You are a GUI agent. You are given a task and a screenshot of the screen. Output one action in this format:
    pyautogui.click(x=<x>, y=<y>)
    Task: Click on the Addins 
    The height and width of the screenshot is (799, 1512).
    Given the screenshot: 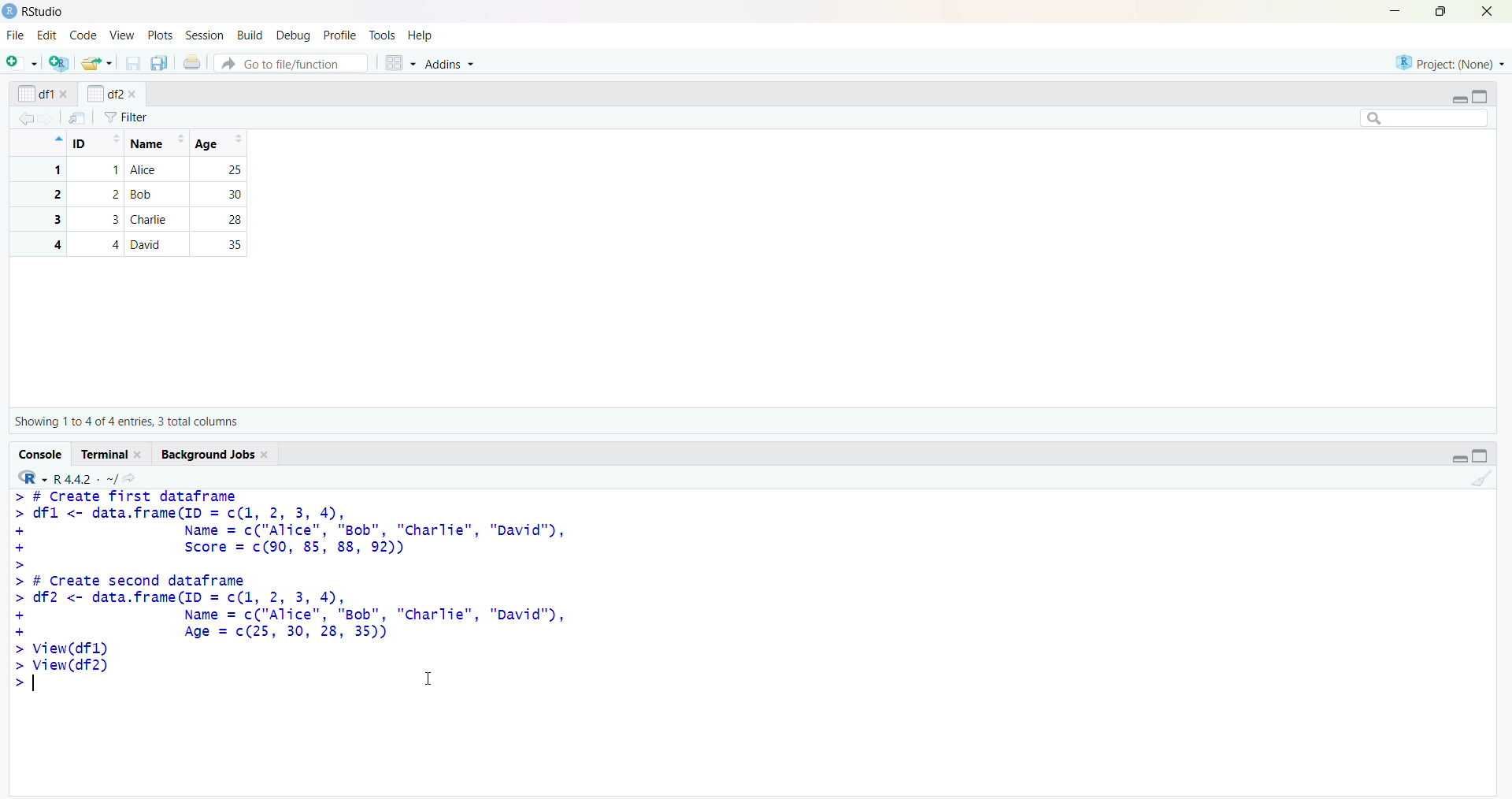 What is the action you would take?
    pyautogui.click(x=448, y=63)
    